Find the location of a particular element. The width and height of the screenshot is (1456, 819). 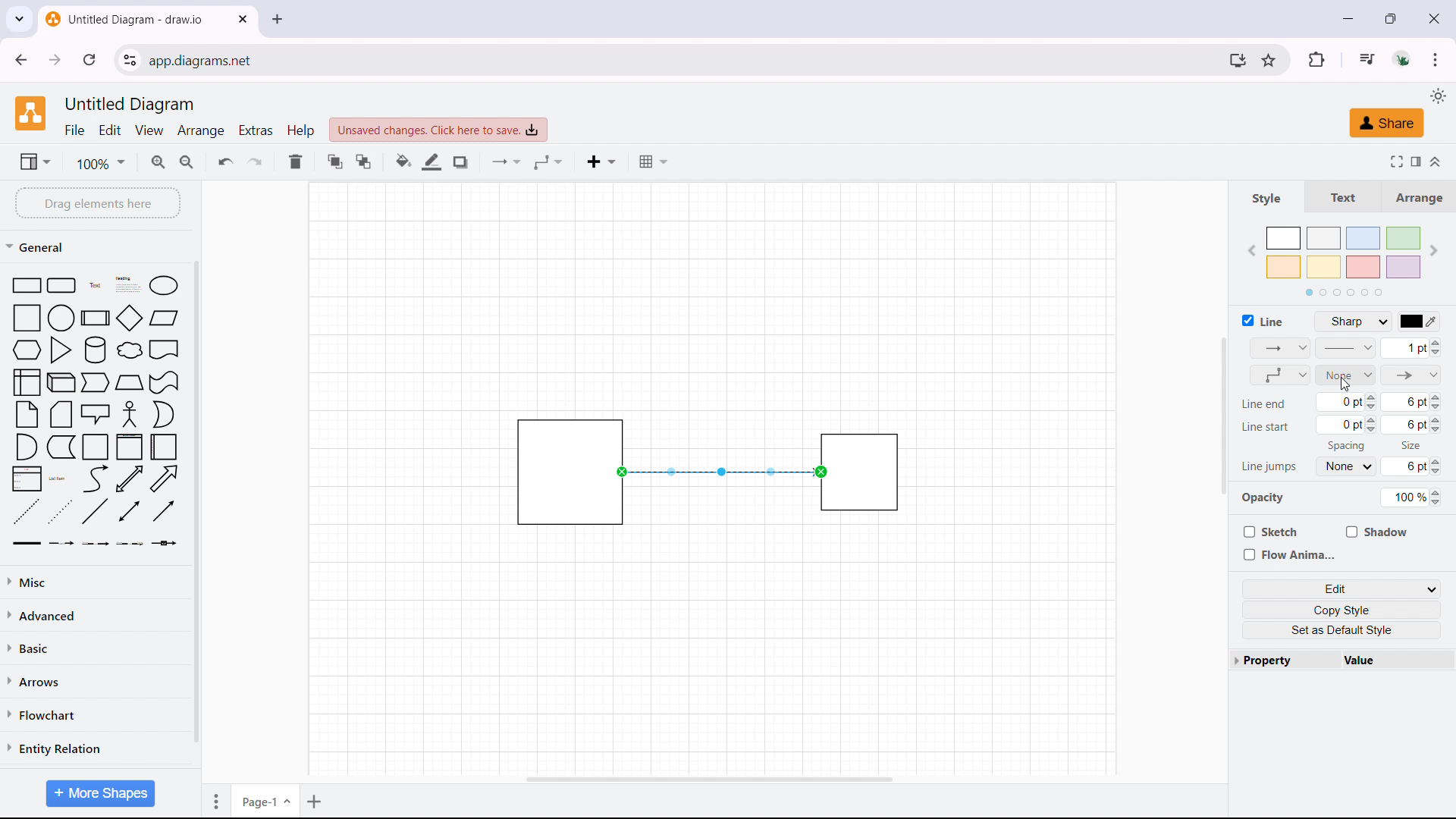

connector selected is located at coordinates (719, 472).